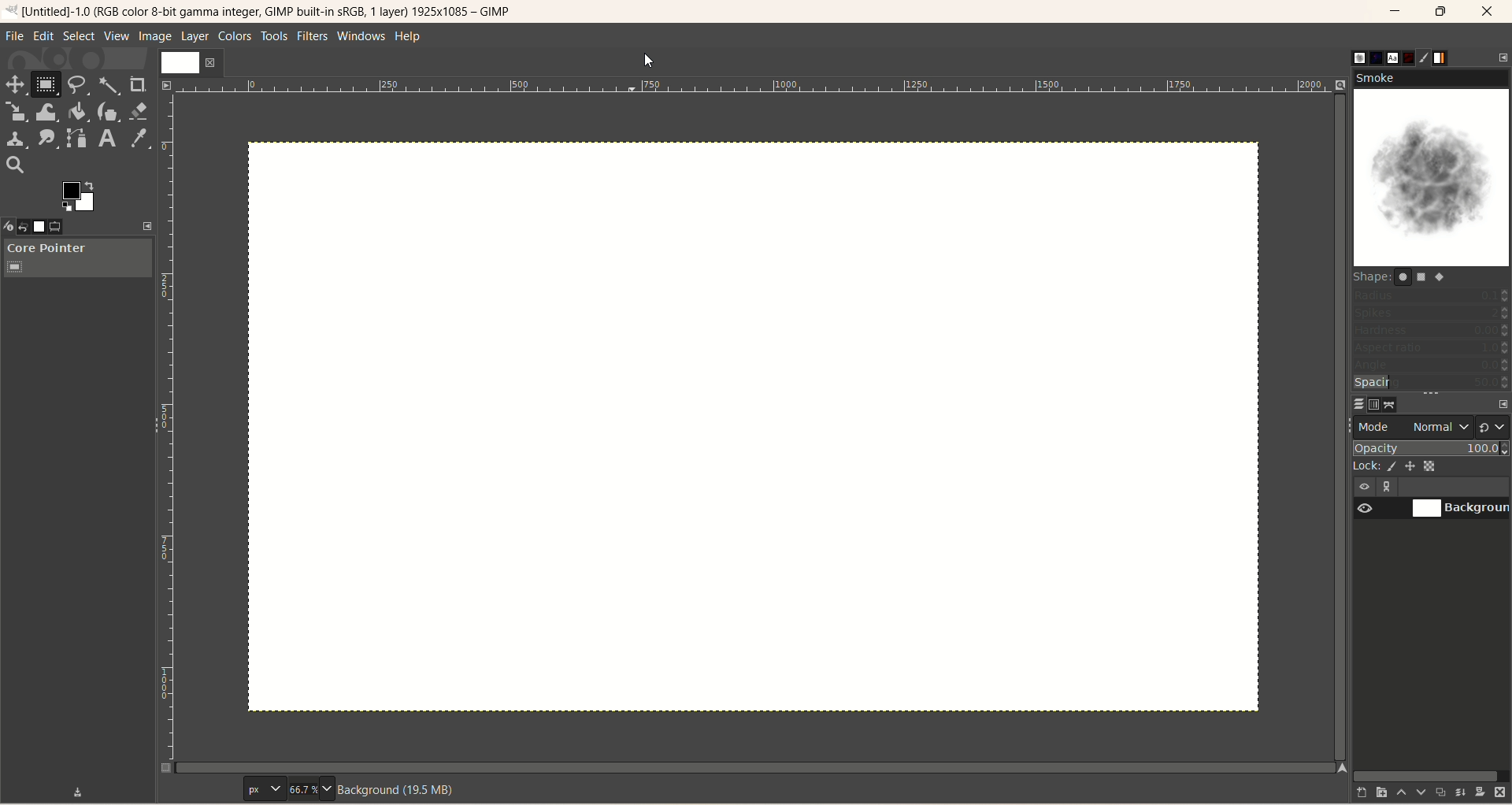 The height and width of the screenshot is (805, 1512). I want to click on spacing, so click(1432, 384).